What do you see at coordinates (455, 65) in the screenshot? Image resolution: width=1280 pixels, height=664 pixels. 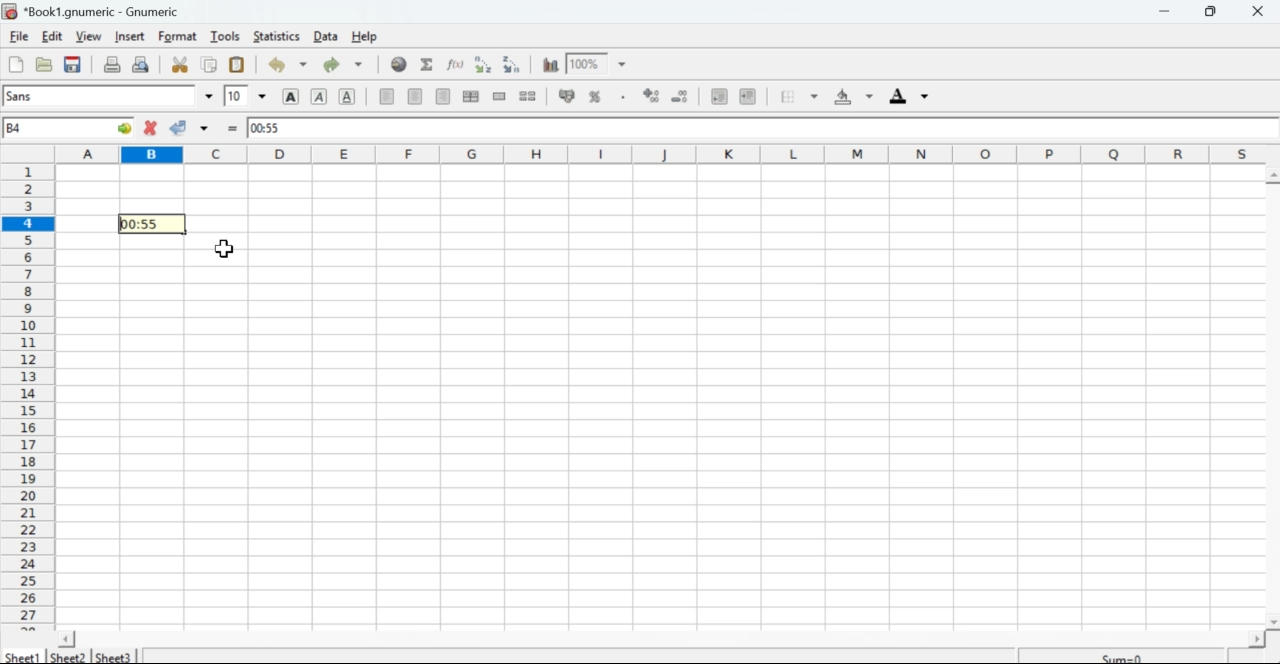 I see `Formula` at bounding box center [455, 65].